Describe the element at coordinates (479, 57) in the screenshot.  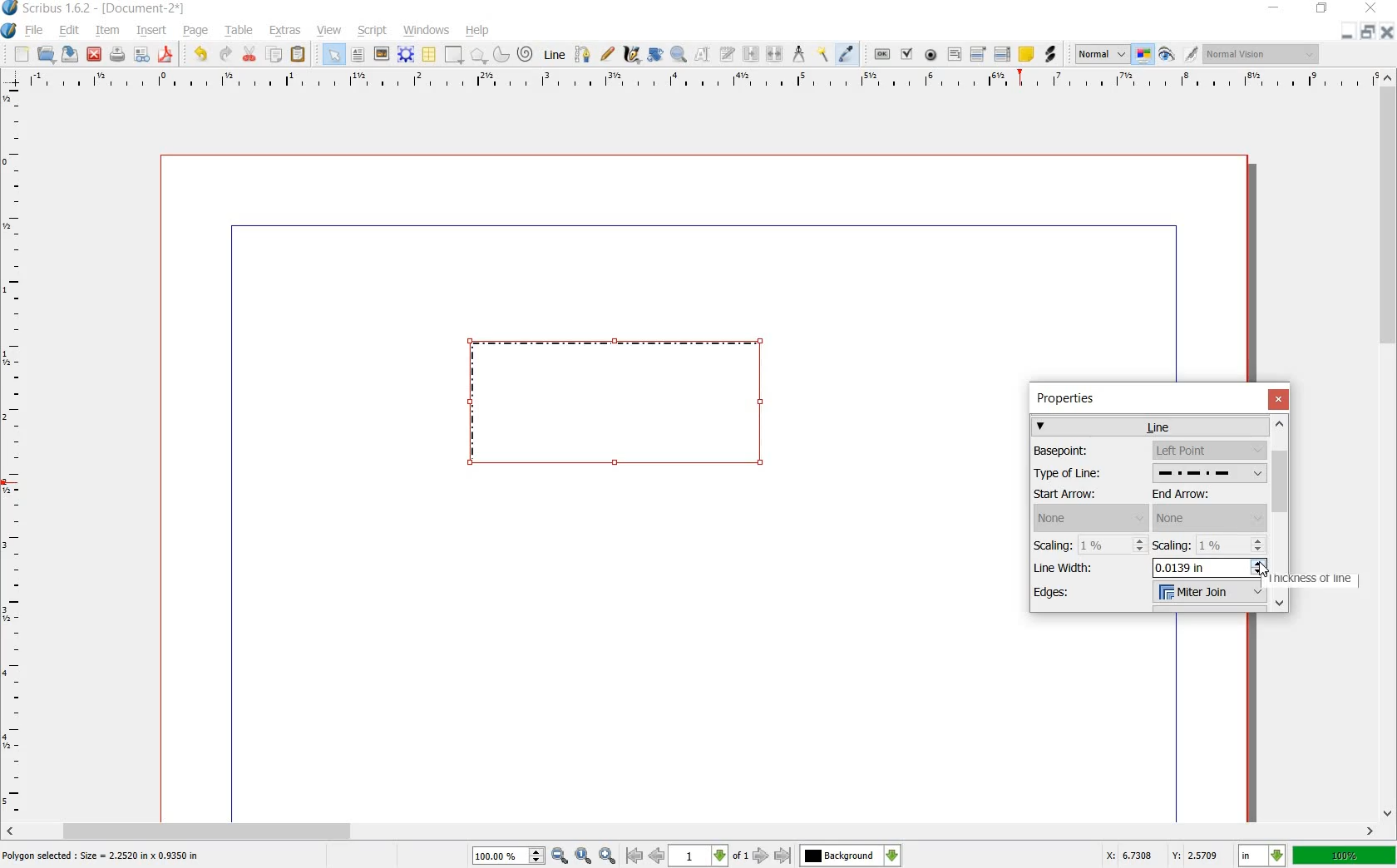
I see `POLYGON` at that location.